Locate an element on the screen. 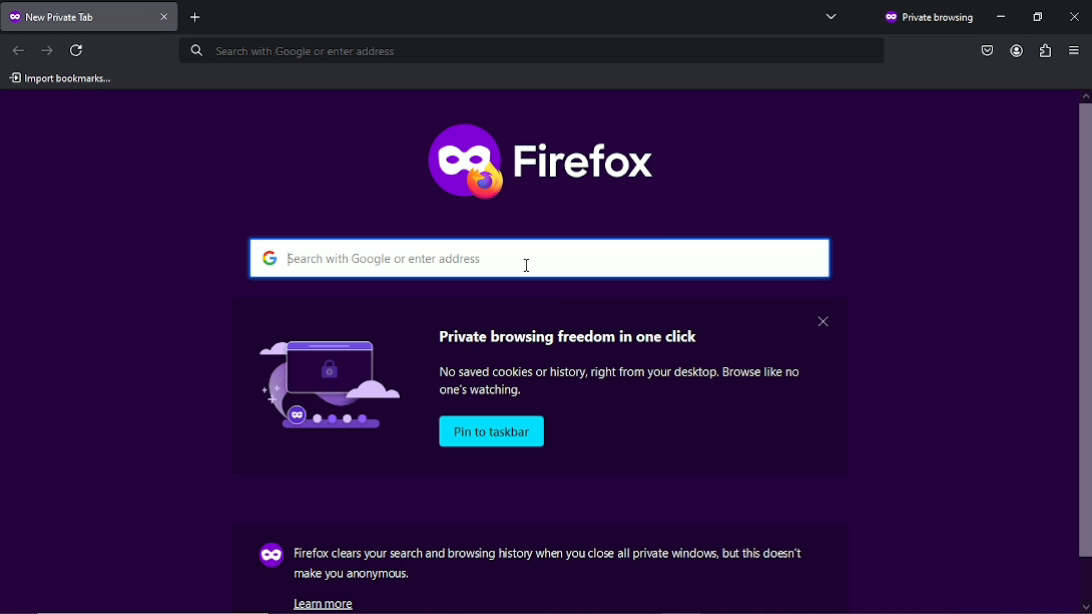 This screenshot has width=1092, height=614. search with google or enter address is located at coordinates (543, 258).